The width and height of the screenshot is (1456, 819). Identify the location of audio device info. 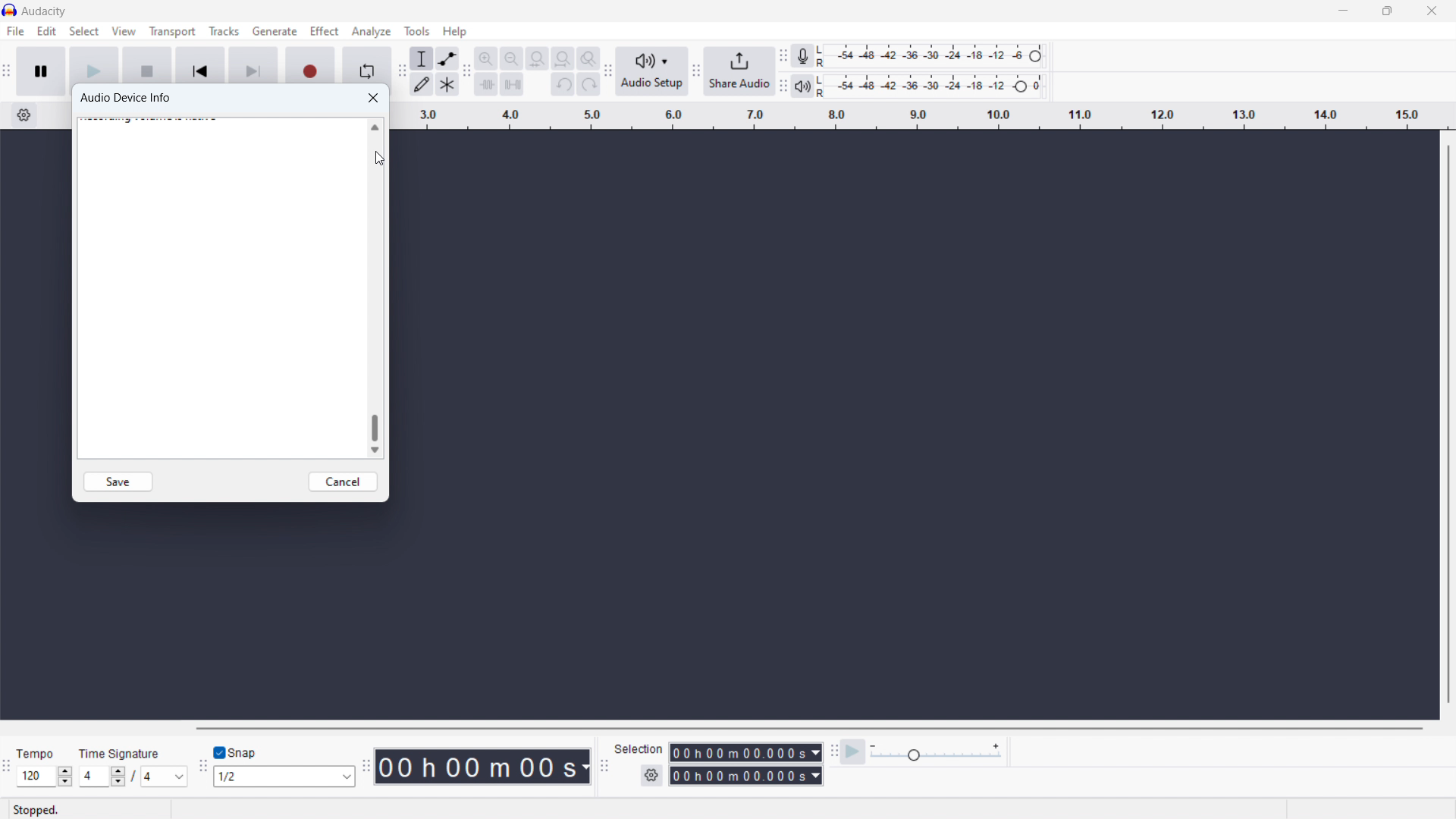
(127, 99).